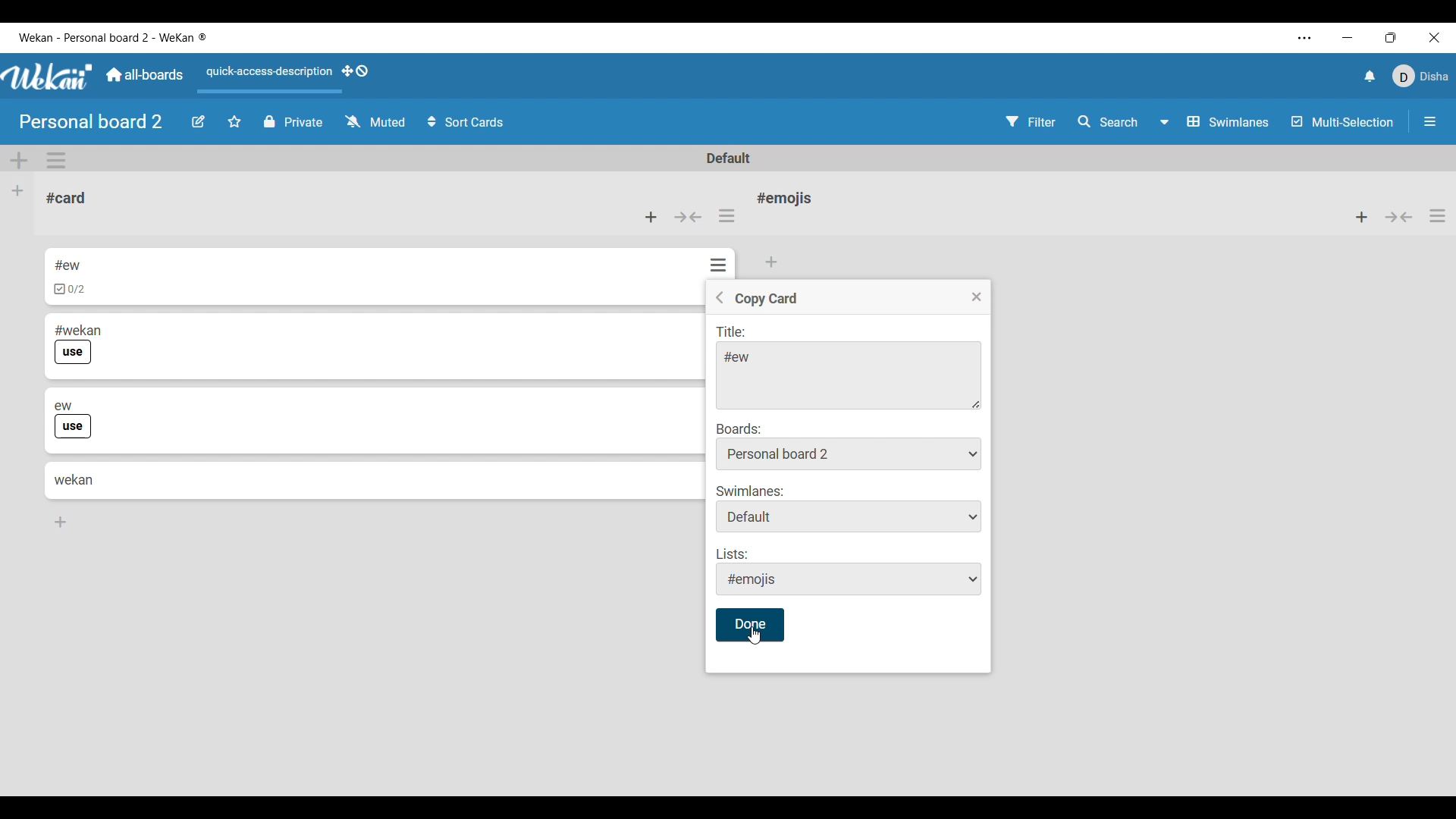 This screenshot has width=1456, height=819. What do you see at coordinates (730, 158) in the screenshot?
I see `Default swimlane` at bounding box center [730, 158].